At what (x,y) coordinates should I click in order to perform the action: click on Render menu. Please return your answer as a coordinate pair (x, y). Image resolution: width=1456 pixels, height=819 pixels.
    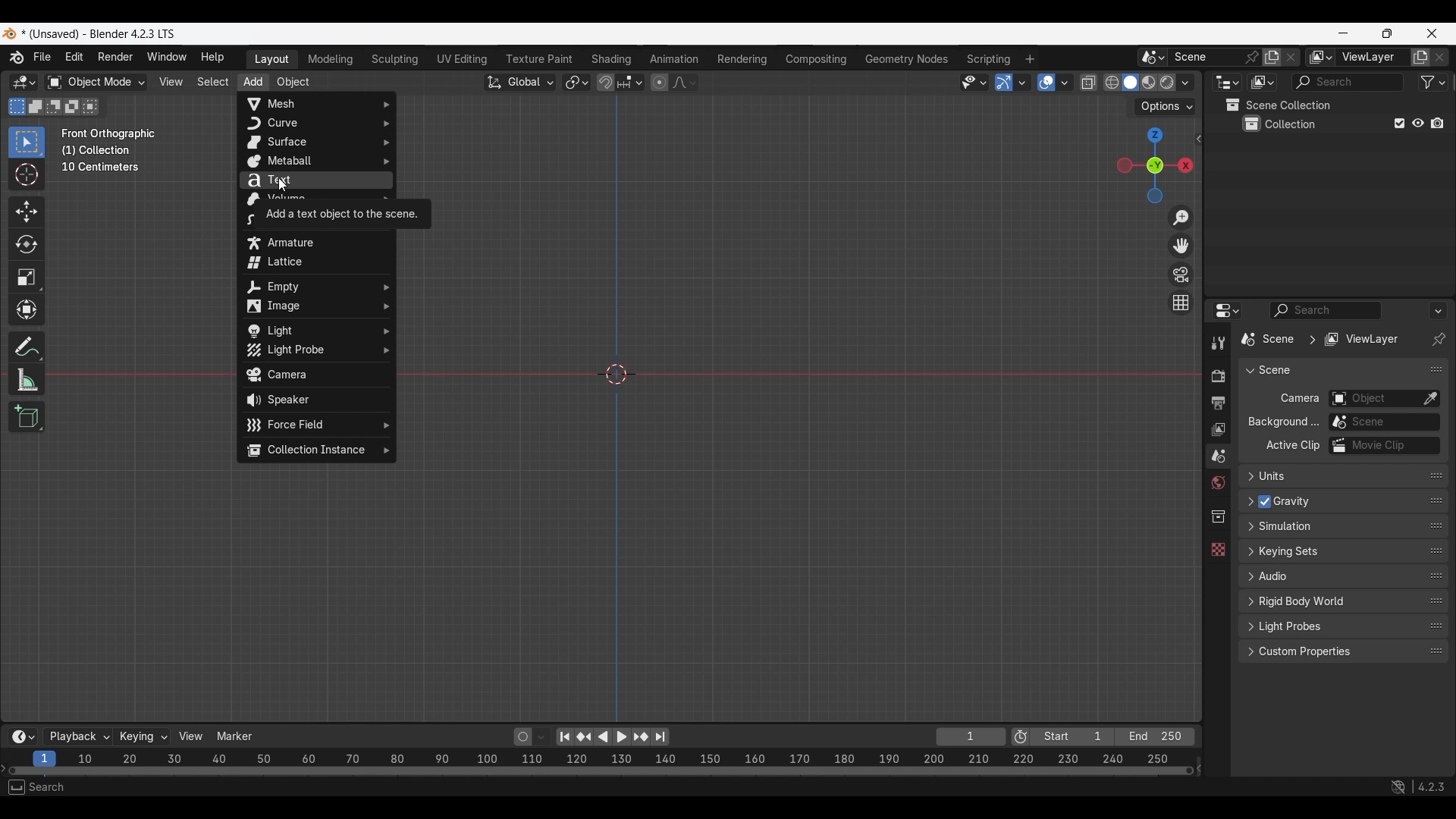
    Looking at the image, I should click on (115, 58).